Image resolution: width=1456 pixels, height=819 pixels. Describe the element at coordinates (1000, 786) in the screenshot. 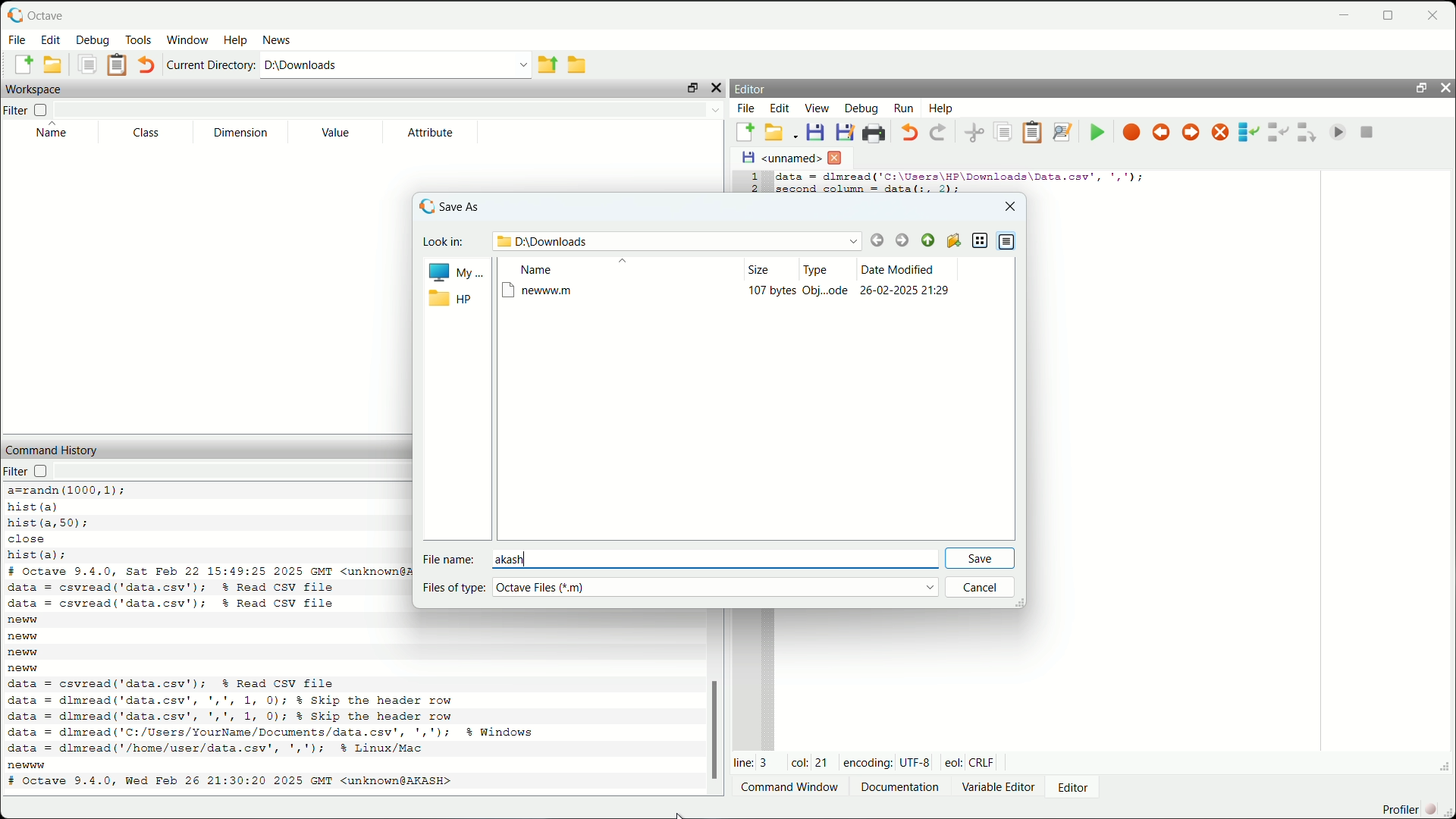

I see `variable editor` at that location.